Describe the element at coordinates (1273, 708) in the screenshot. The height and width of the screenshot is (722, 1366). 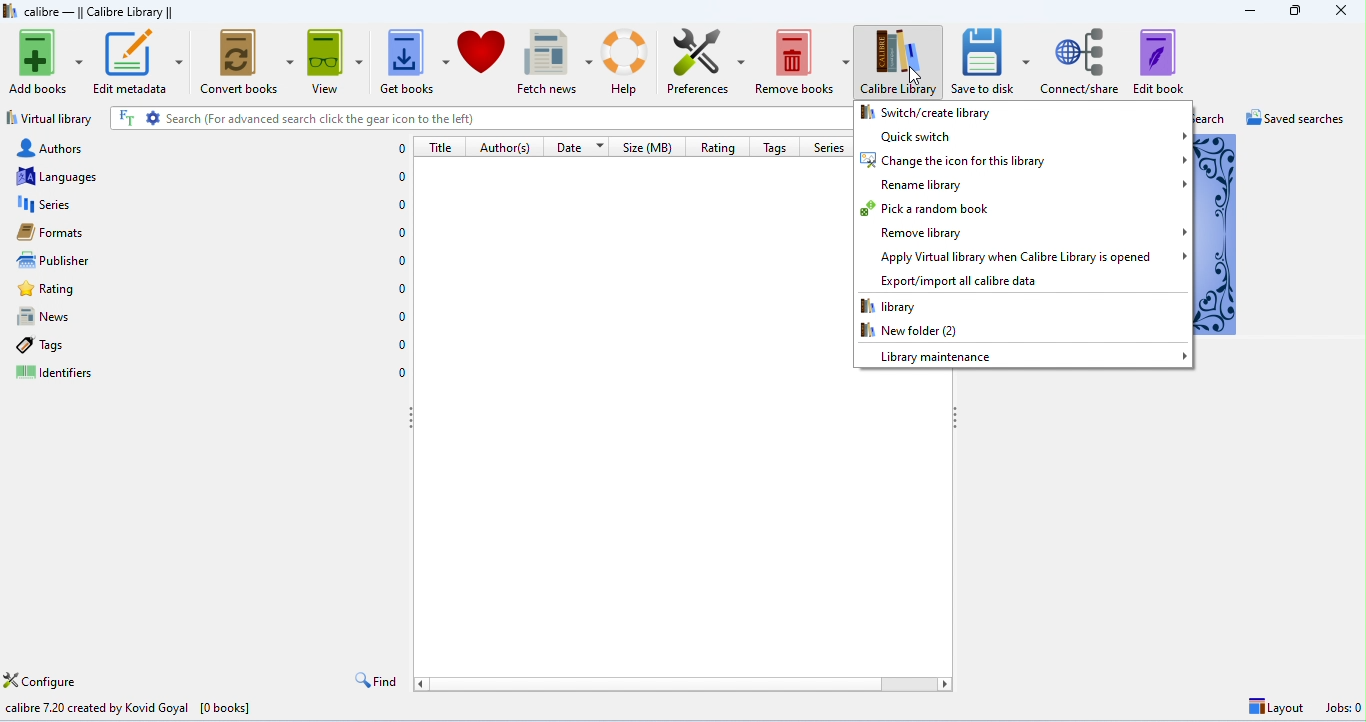
I see `layout` at that location.